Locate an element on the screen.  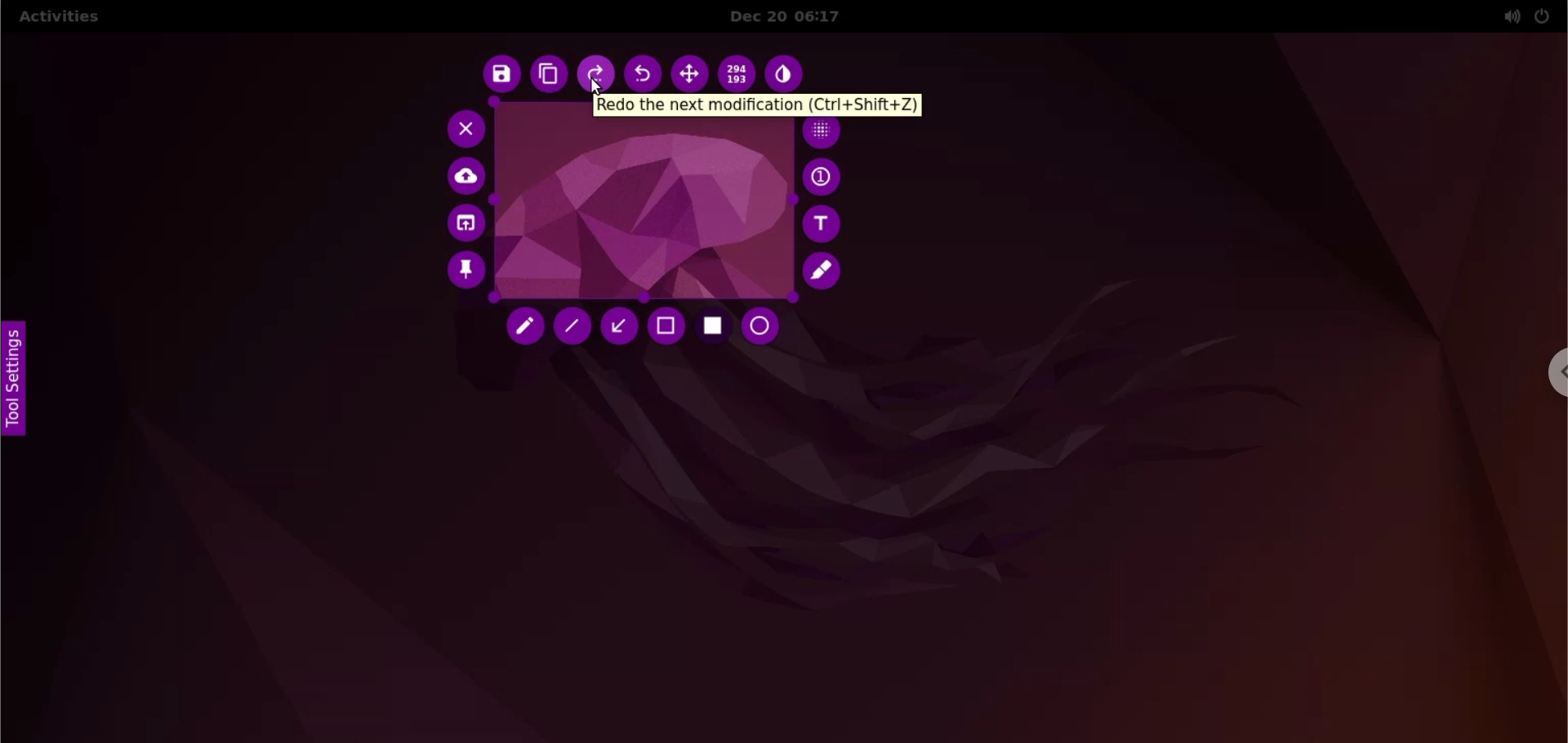
selection tool is located at coordinates (667, 327).